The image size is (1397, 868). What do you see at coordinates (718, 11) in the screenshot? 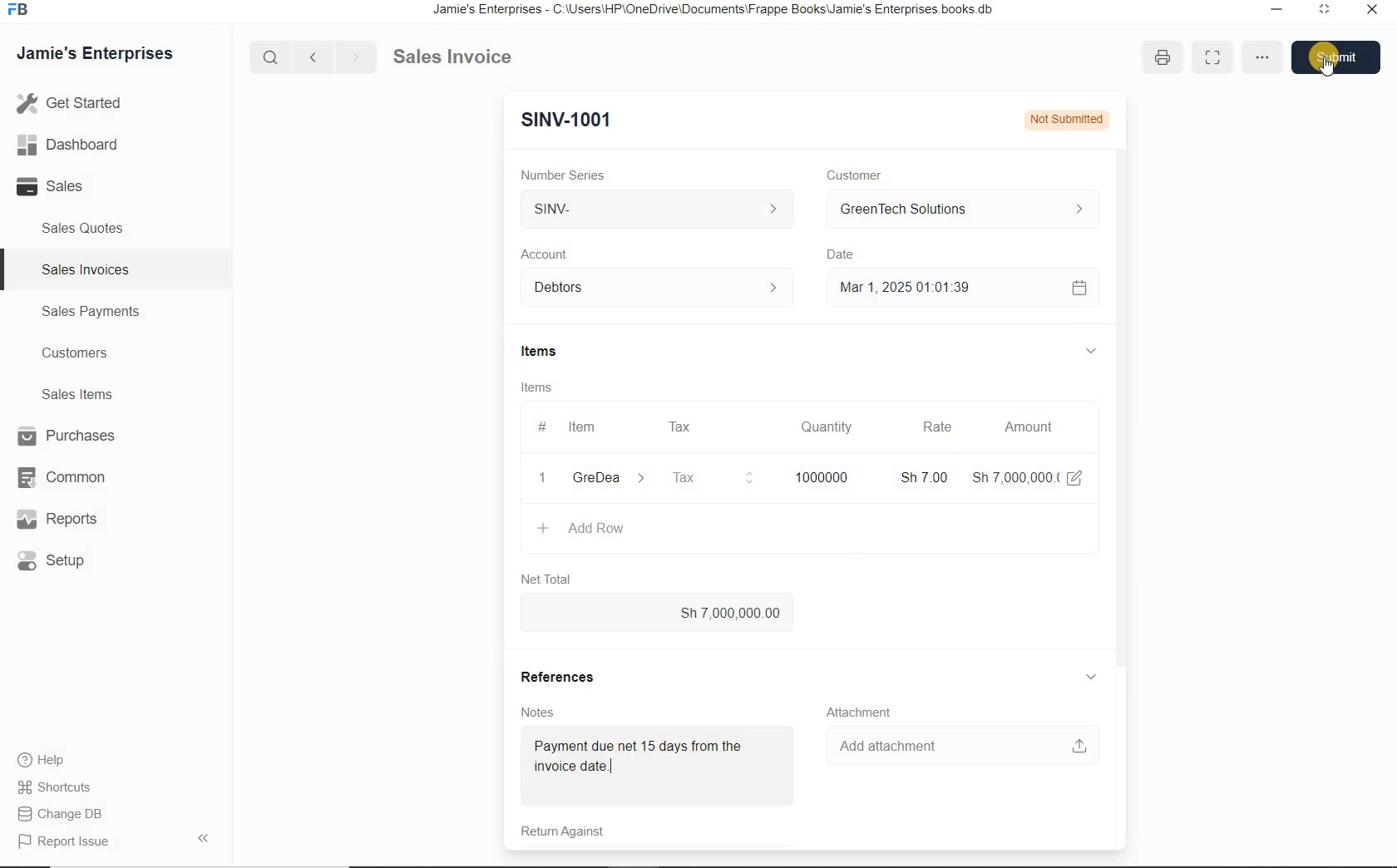
I see `Jamie's Enterprises - C:\Users\HP\OneDrive\Documents\Frappe Books\Jamie's Enterprises books.db` at bounding box center [718, 11].